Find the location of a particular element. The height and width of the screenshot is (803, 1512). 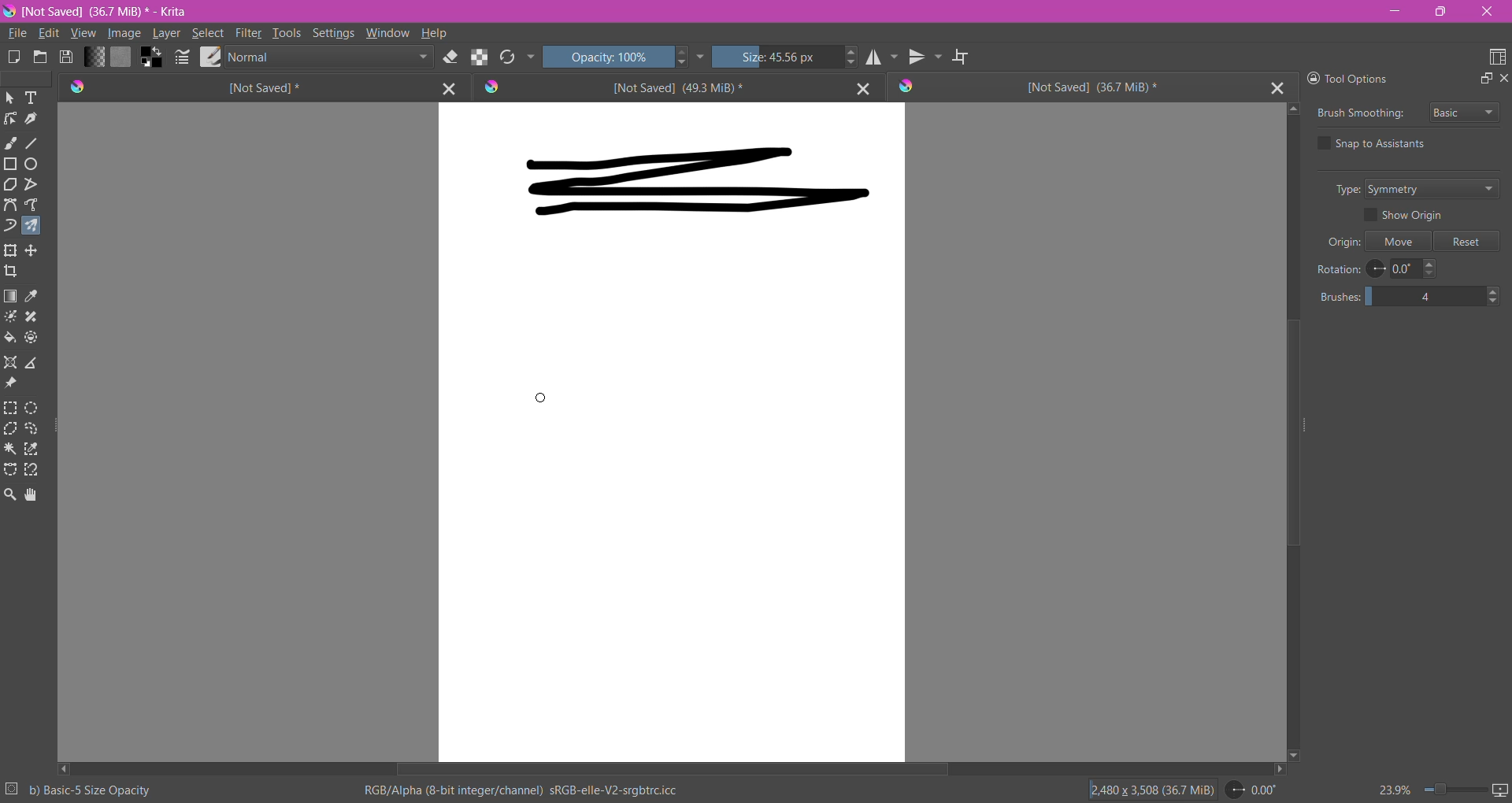

Fill Gradient is located at coordinates (94, 56).